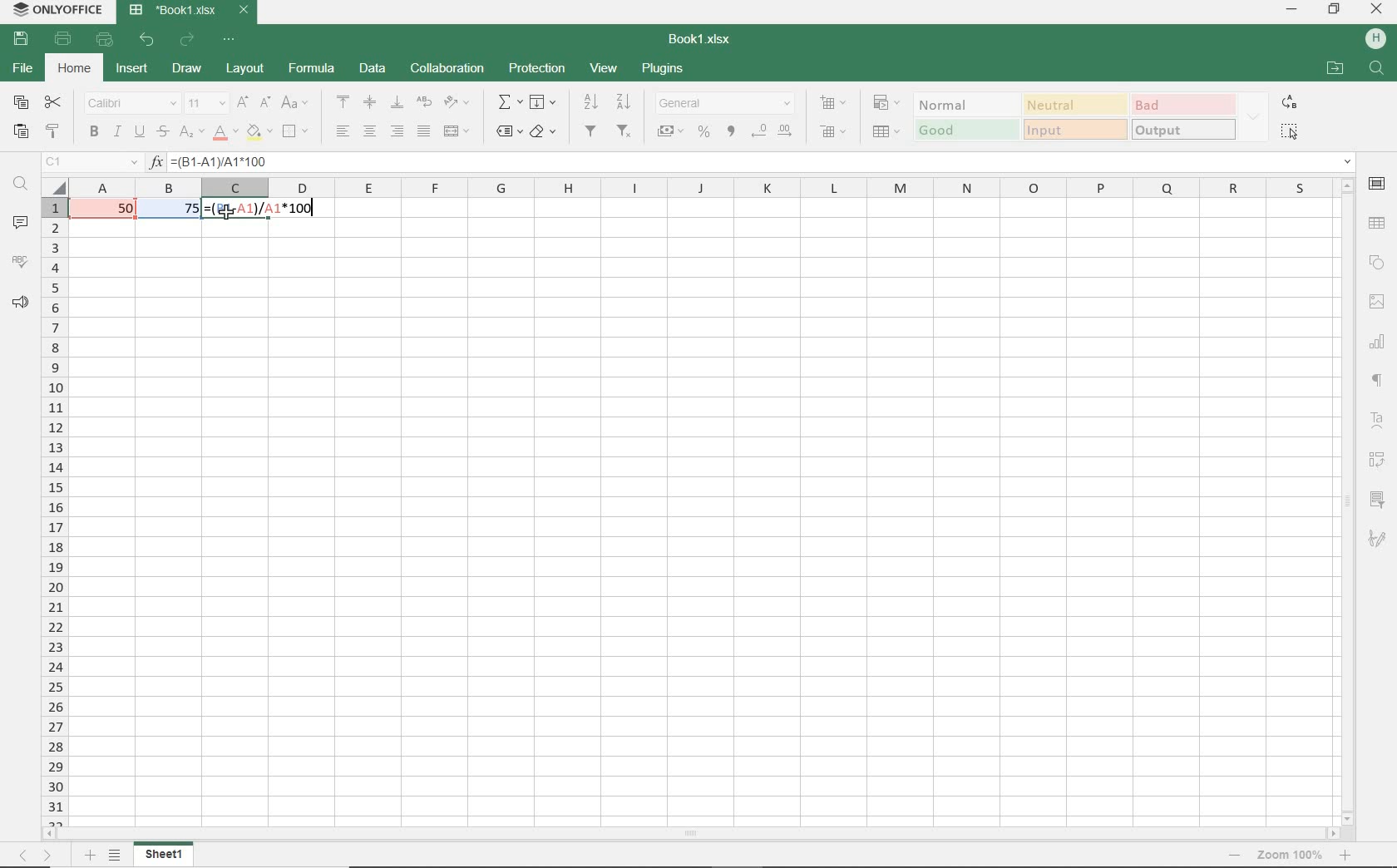 The width and height of the screenshot is (1397, 868). I want to click on replace, so click(1290, 104).